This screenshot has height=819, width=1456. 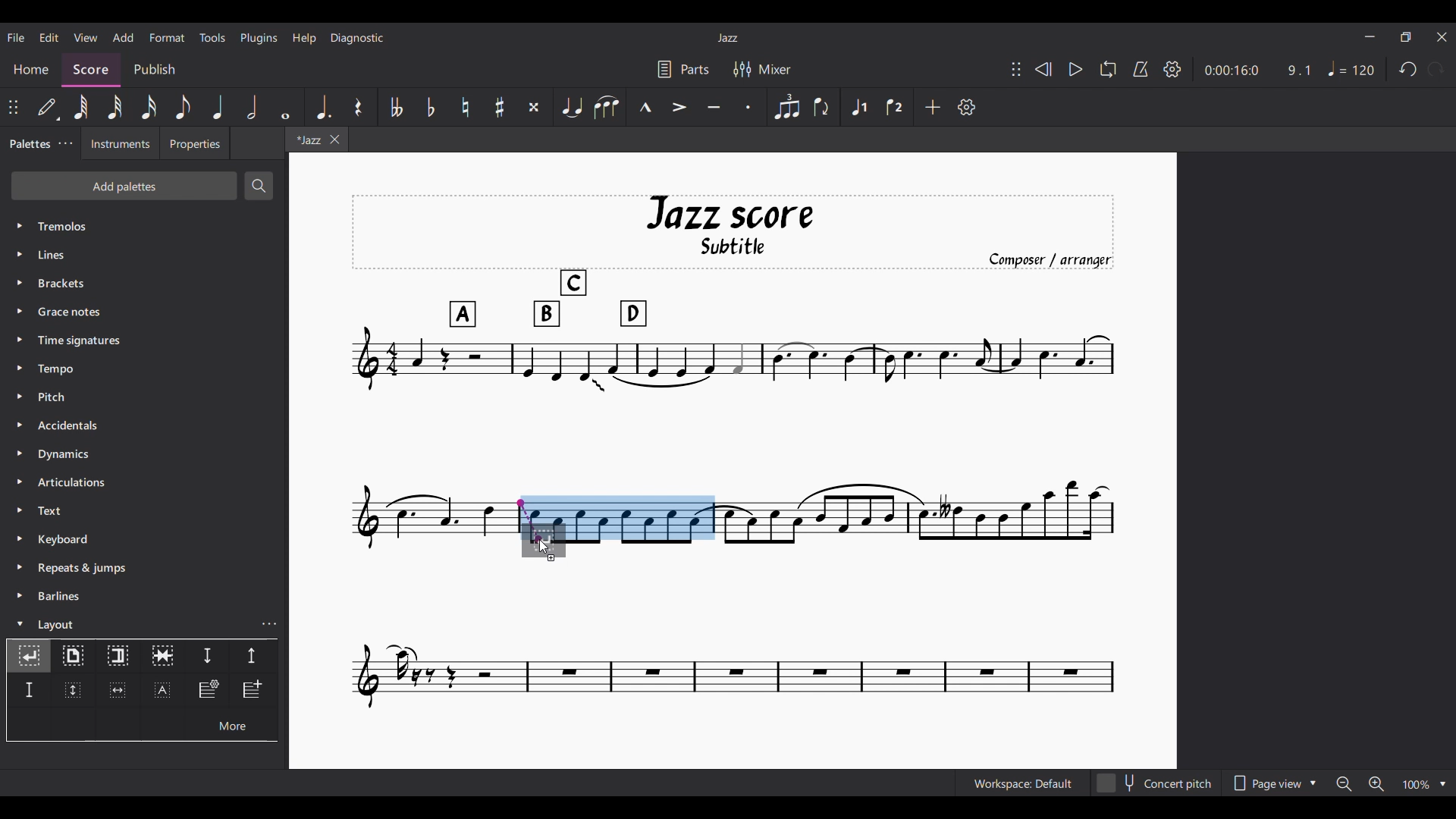 I want to click on Tie, so click(x=571, y=107).